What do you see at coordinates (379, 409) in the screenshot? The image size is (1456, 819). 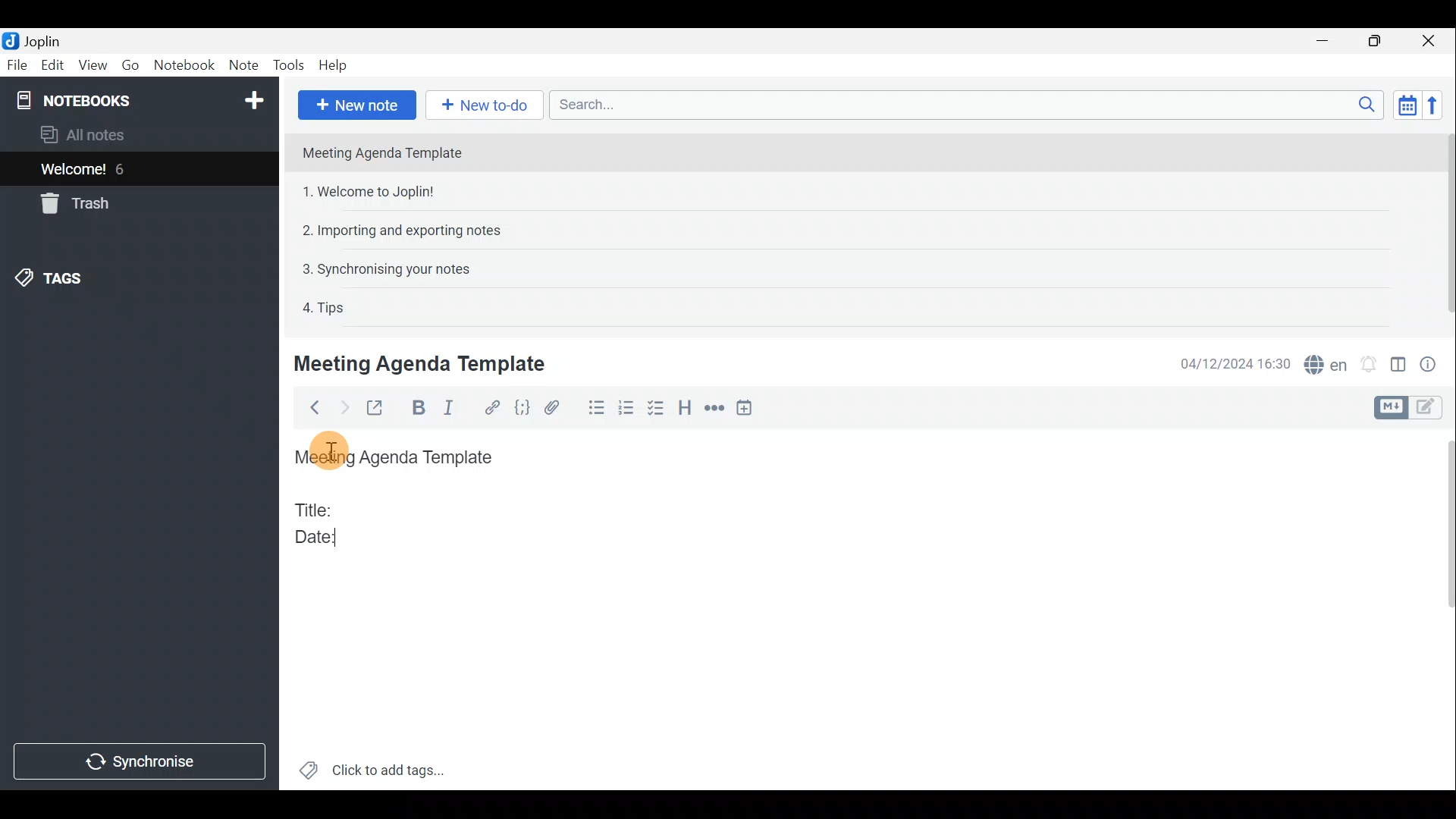 I see `Toggle external editing` at bounding box center [379, 409].